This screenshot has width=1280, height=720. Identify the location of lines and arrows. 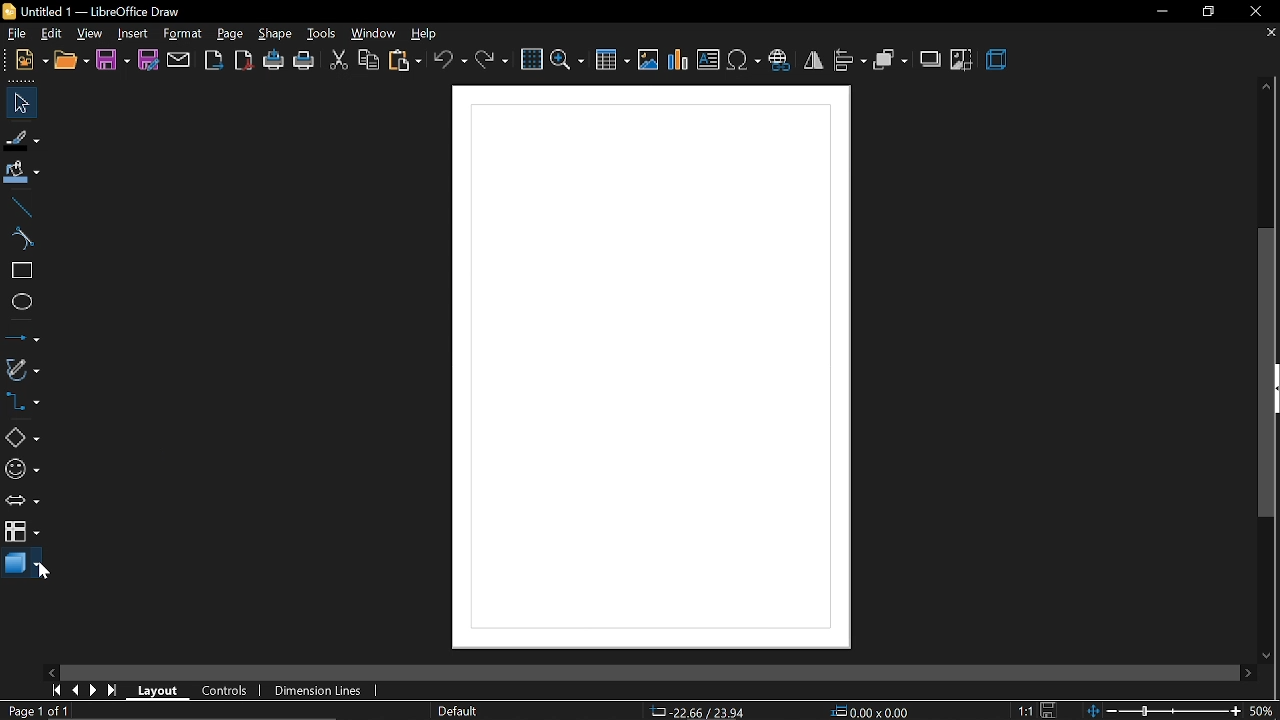
(21, 335).